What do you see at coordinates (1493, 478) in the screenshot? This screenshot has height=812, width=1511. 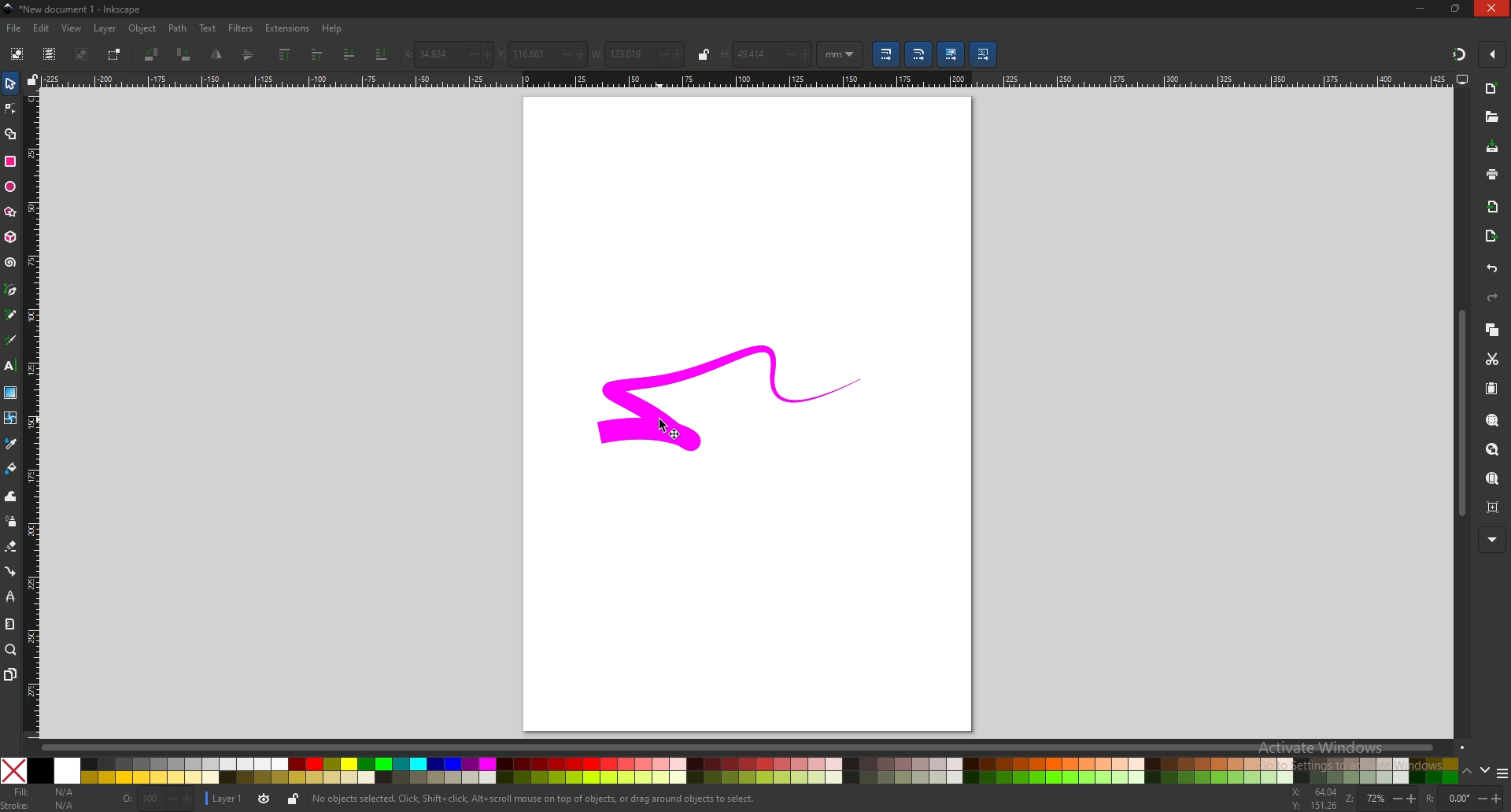 I see `zoom page` at bounding box center [1493, 478].